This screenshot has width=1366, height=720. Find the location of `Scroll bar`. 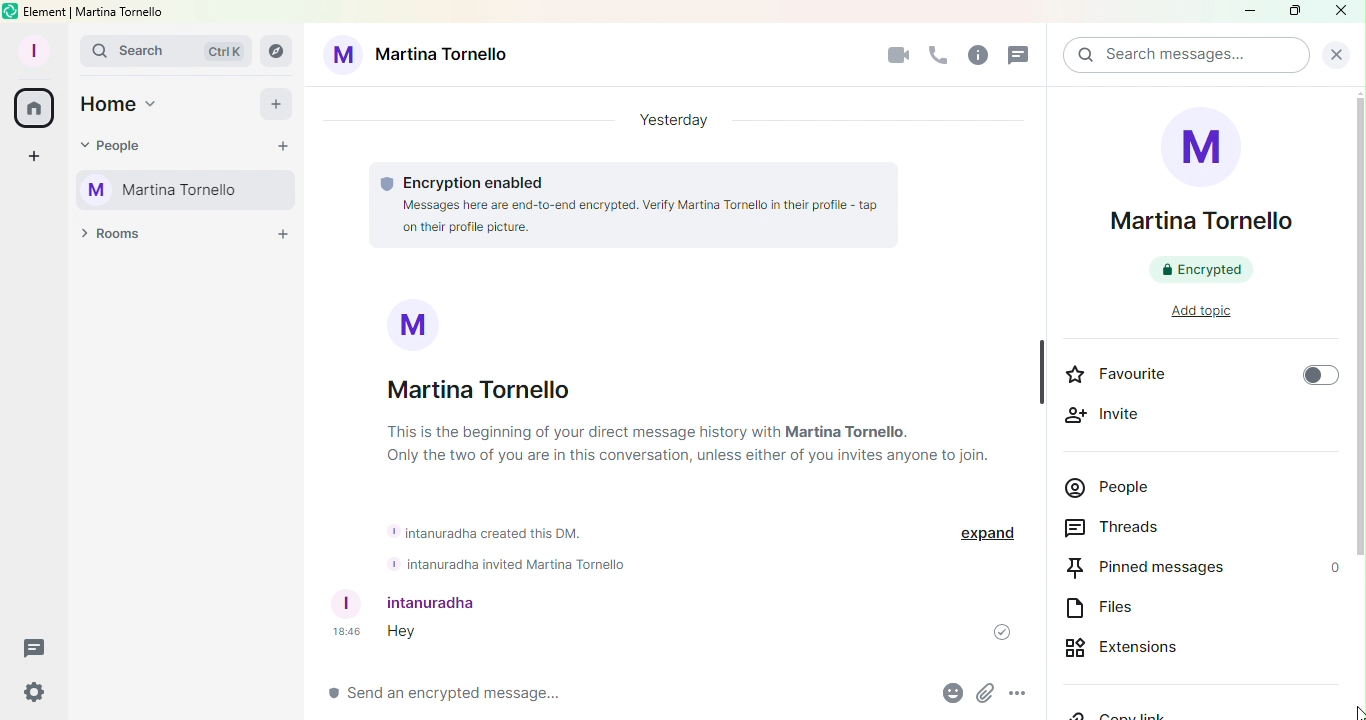

Scroll bar is located at coordinates (1358, 386).